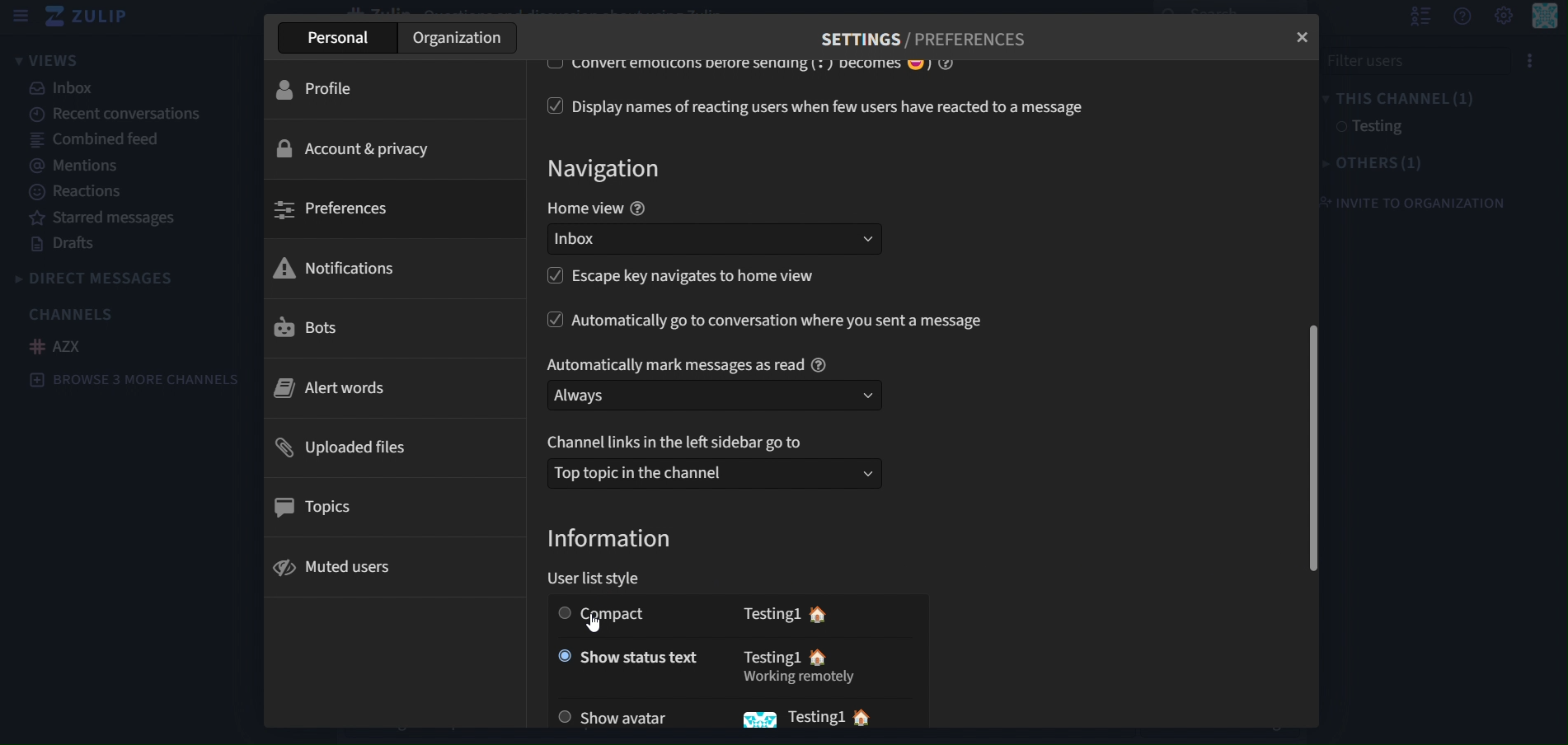 The image size is (1568, 745). I want to click on organization, so click(458, 40).